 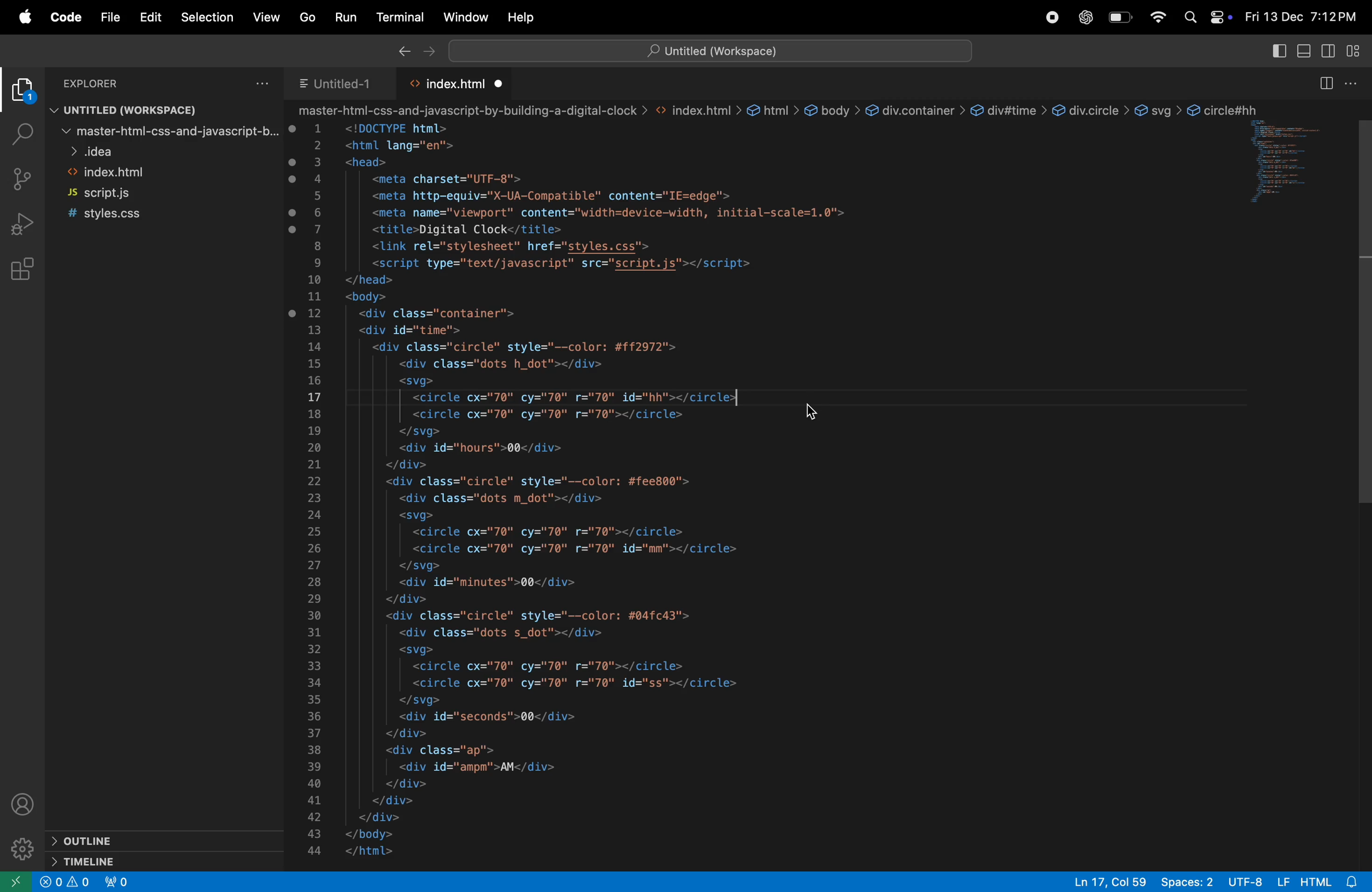 I want to click on apple widgets, so click(x=1205, y=17).